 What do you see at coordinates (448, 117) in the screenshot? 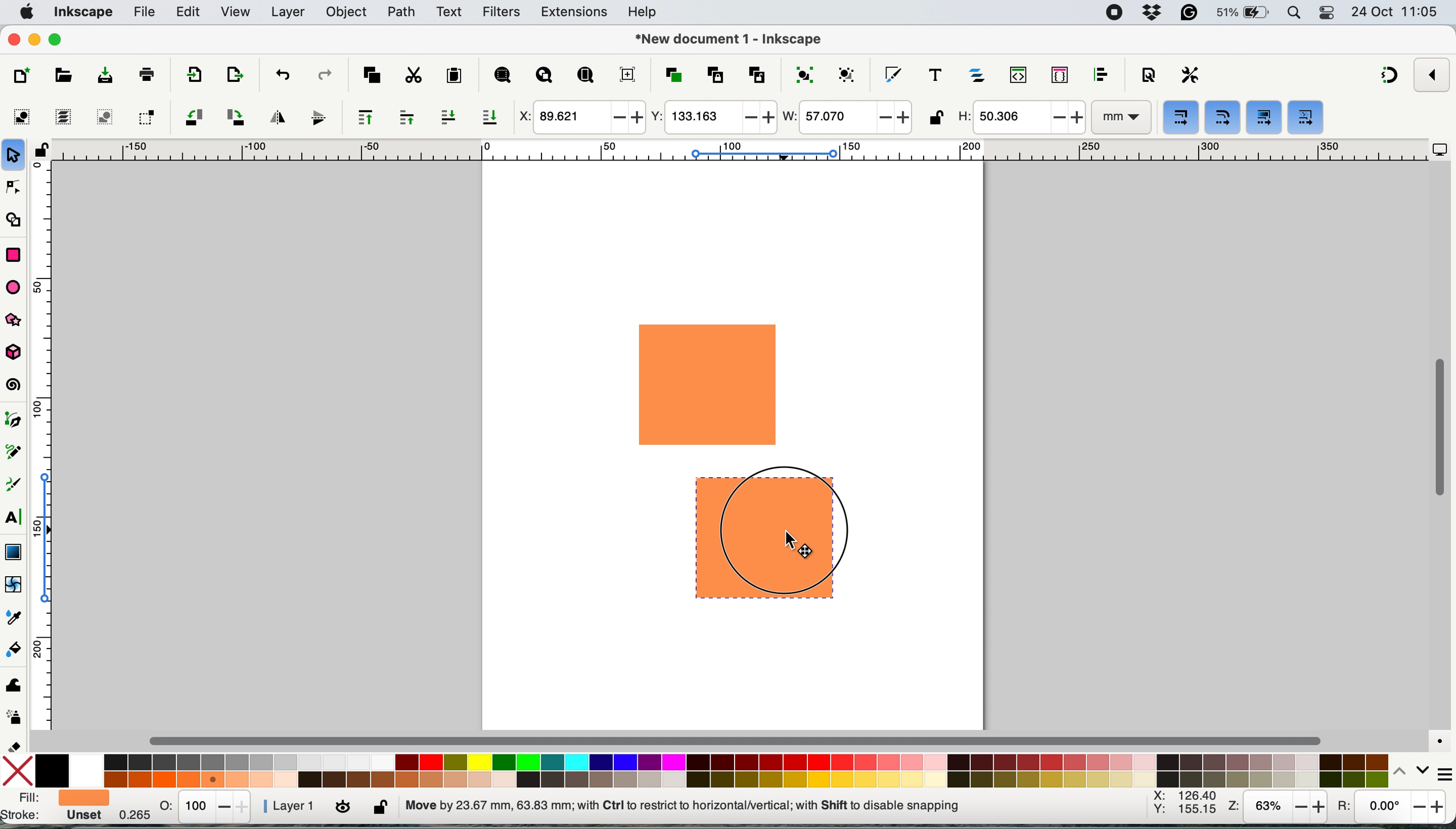
I see `lower selection one step` at bounding box center [448, 117].